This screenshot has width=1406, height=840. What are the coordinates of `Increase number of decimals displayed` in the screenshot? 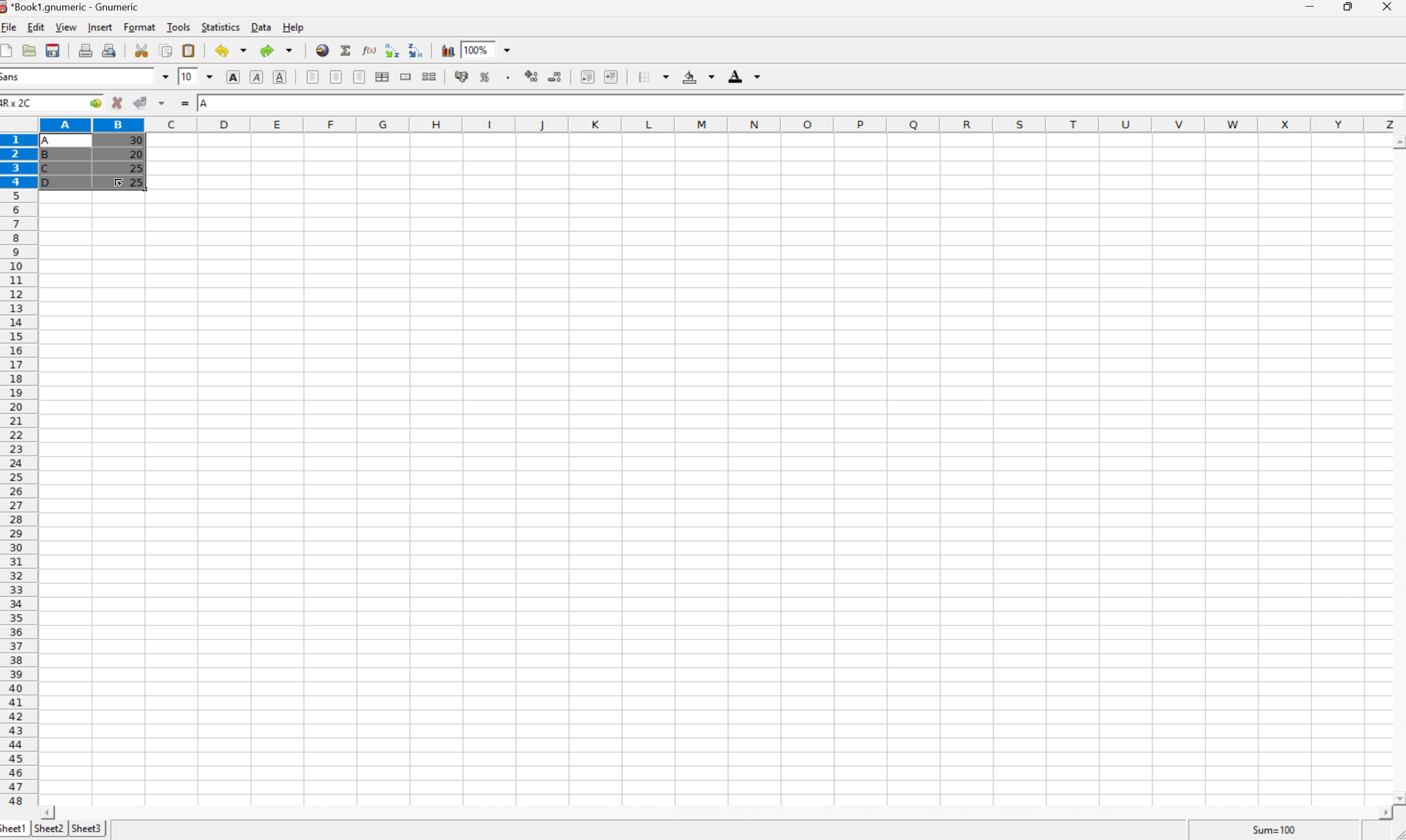 It's located at (532, 78).